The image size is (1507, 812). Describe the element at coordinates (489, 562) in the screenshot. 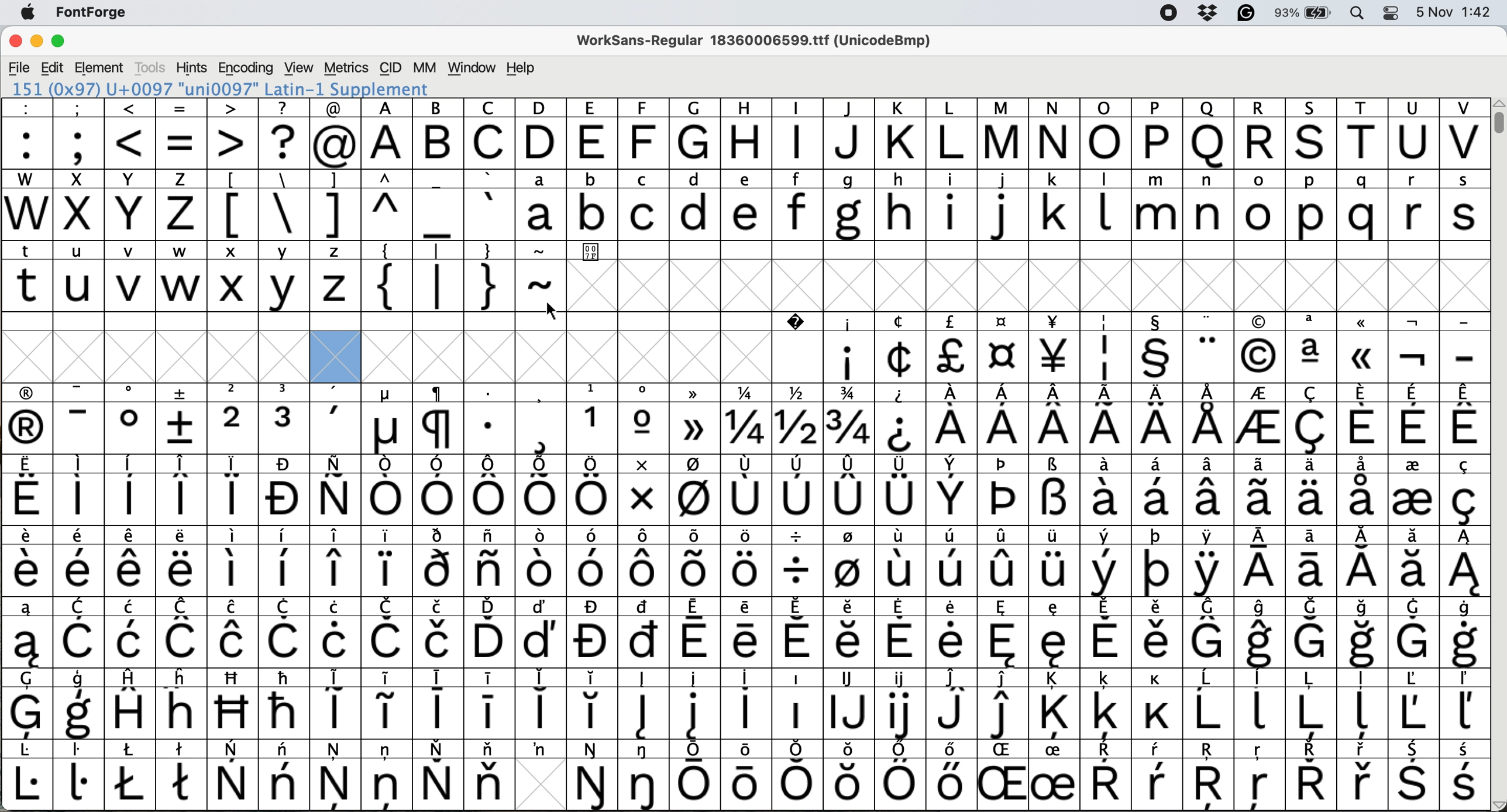

I see `symbol` at that location.